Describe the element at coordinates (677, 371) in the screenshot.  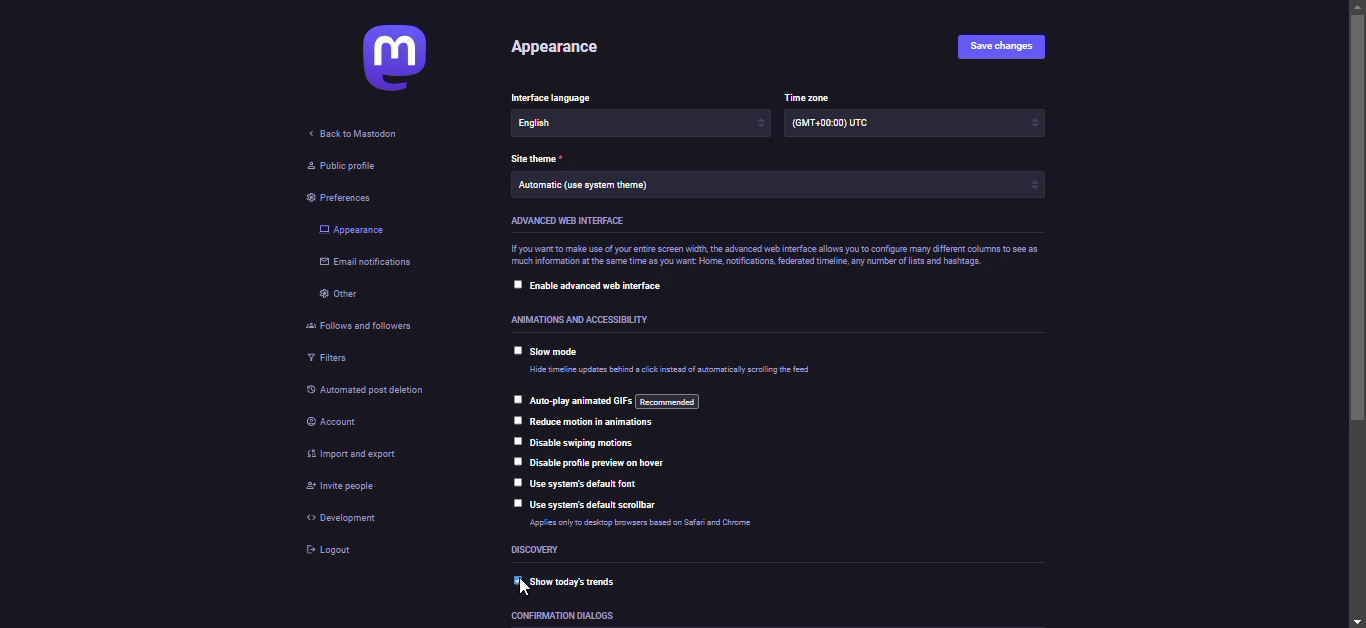
I see `info` at that location.